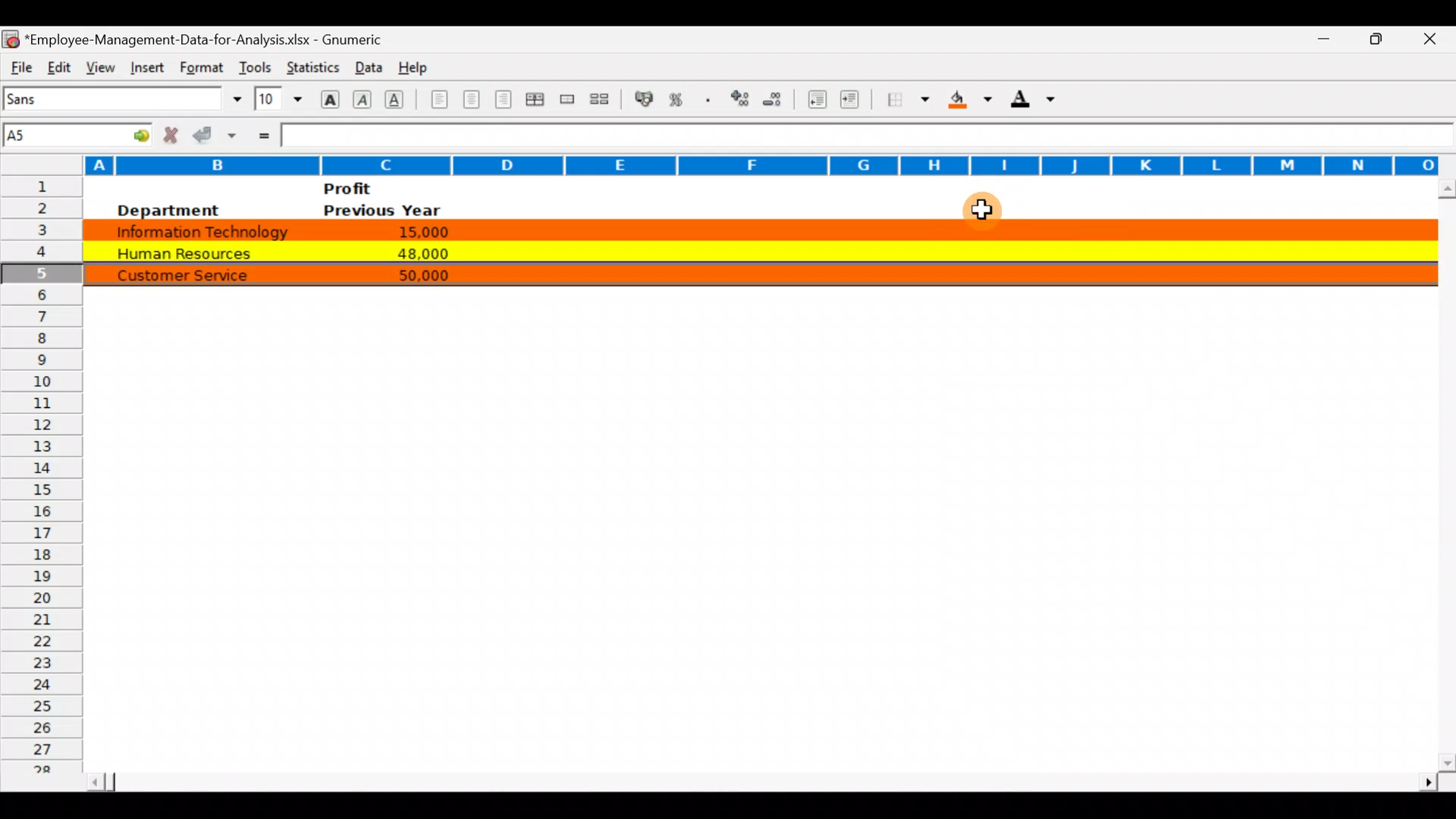 The height and width of the screenshot is (819, 1456). Describe the element at coordinates (747, 557) in the screenshot. I see `Cells` at that location.